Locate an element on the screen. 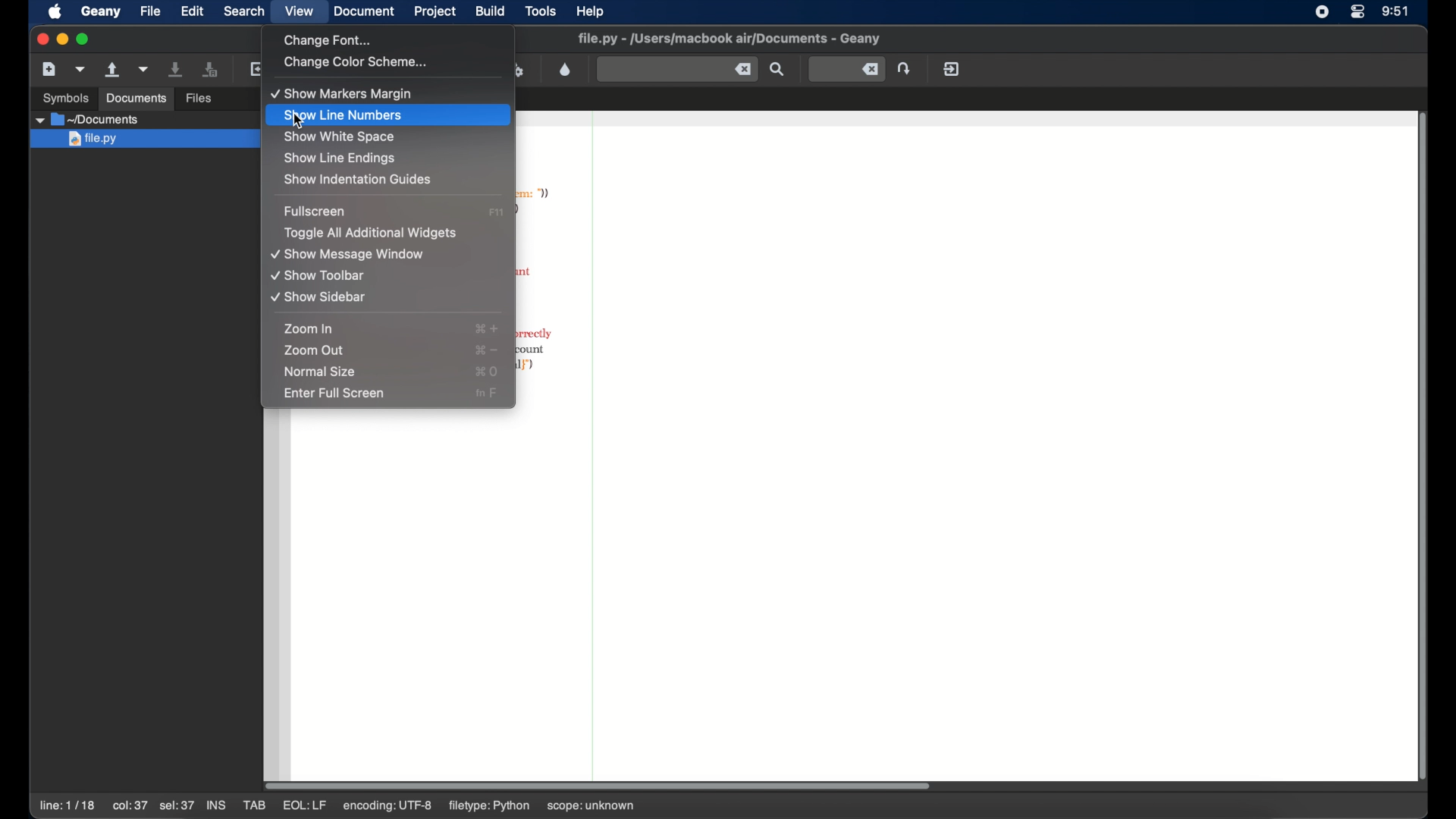 Image resolution: width=1456 pixels, height=819 pixels. find the entered text in current file is located at coordinates (777, 70).